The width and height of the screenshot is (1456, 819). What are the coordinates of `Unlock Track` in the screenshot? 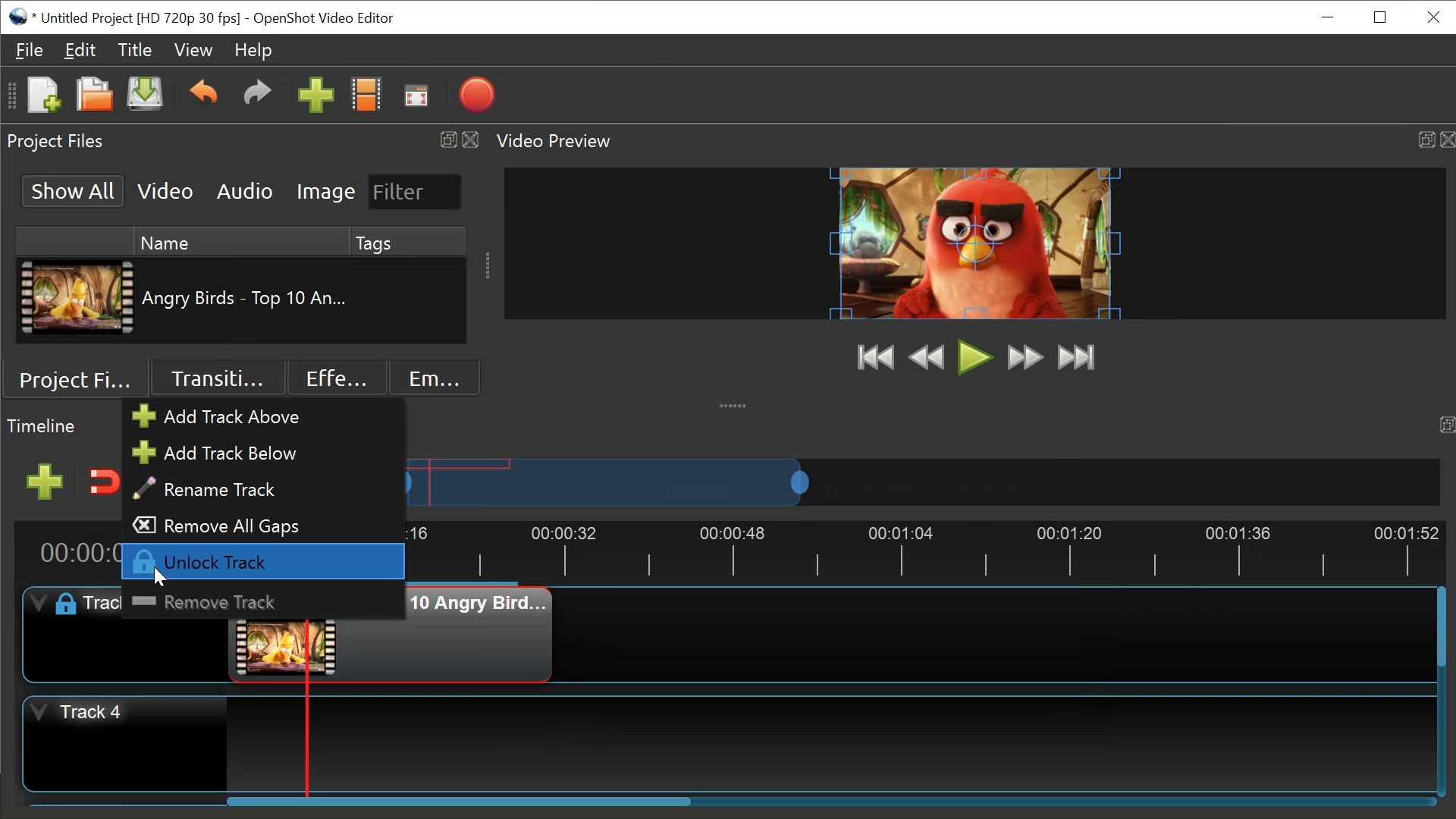 It's located at (258, 562).